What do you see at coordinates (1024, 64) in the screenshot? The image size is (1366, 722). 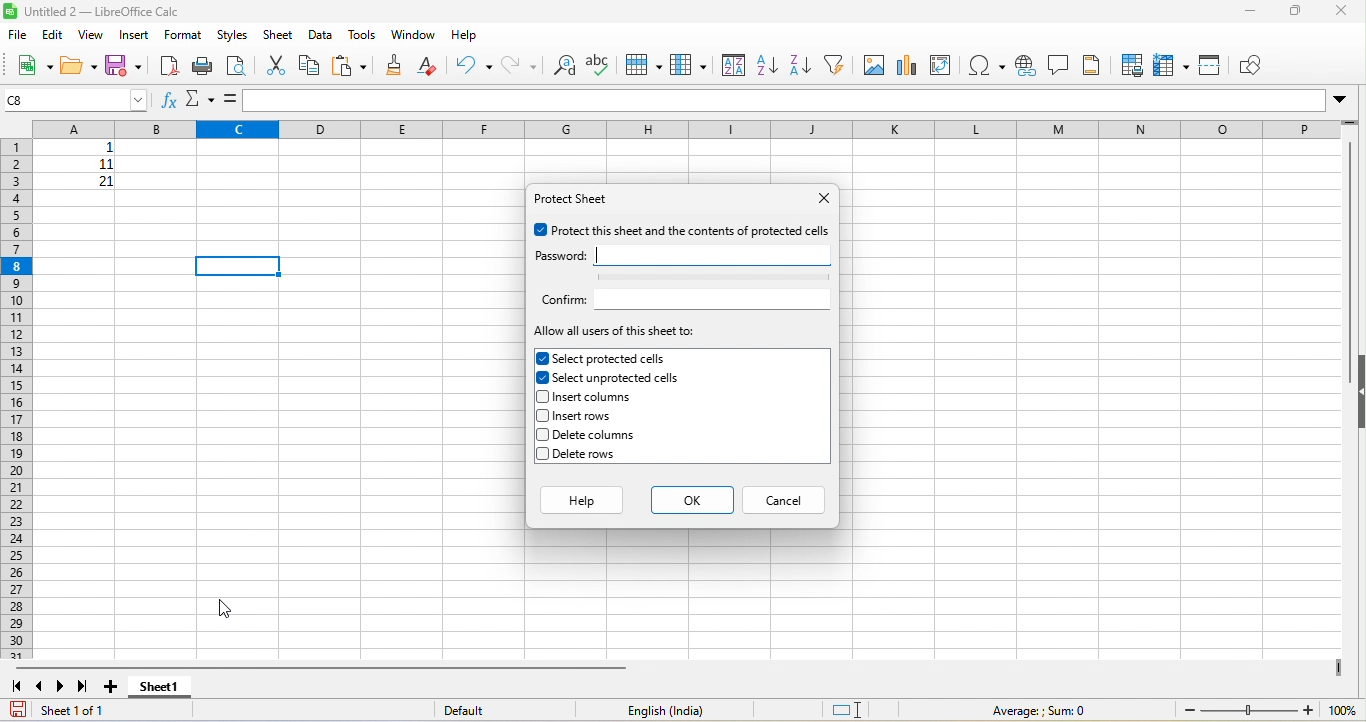 I see `hyperlink` at bounding box center [1024, 64].